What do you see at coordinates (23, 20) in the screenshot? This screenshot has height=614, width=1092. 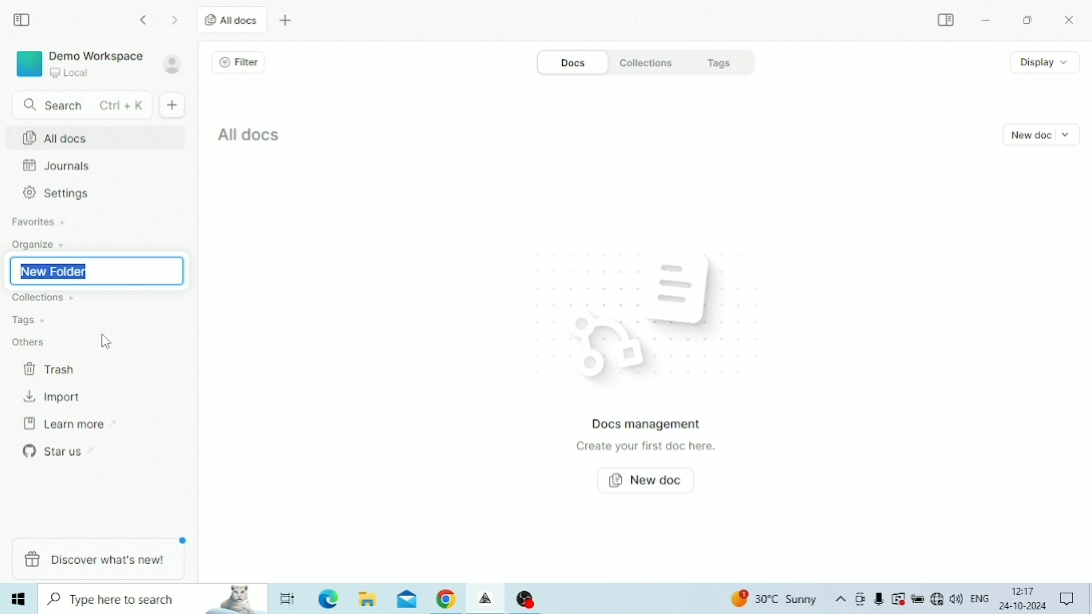 I see `Collapse sidebar` at bounding box center [23, 20].